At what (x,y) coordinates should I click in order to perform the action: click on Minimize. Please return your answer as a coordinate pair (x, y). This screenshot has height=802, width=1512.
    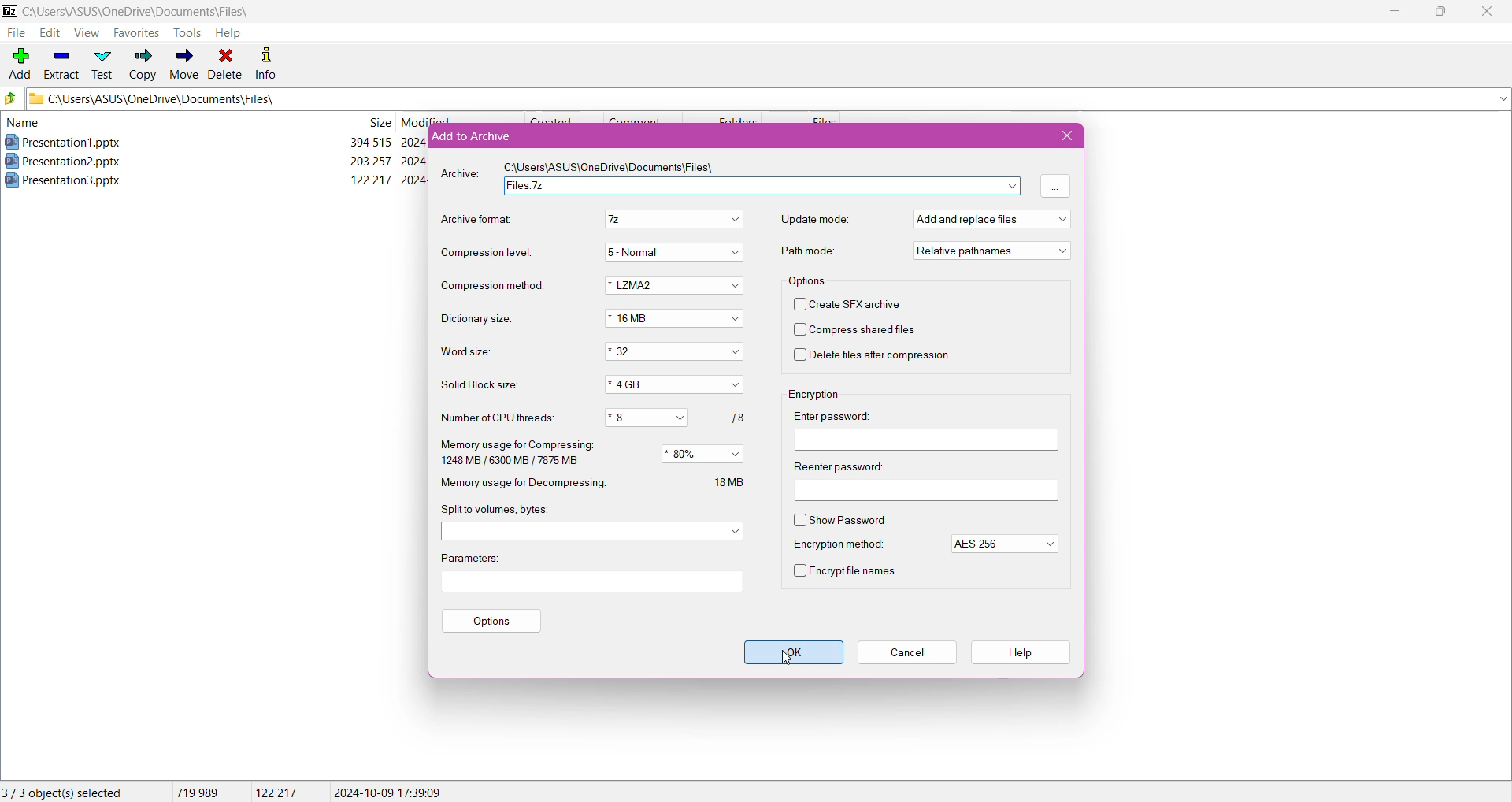
    Looking at the image, I should click on (1393, 12).